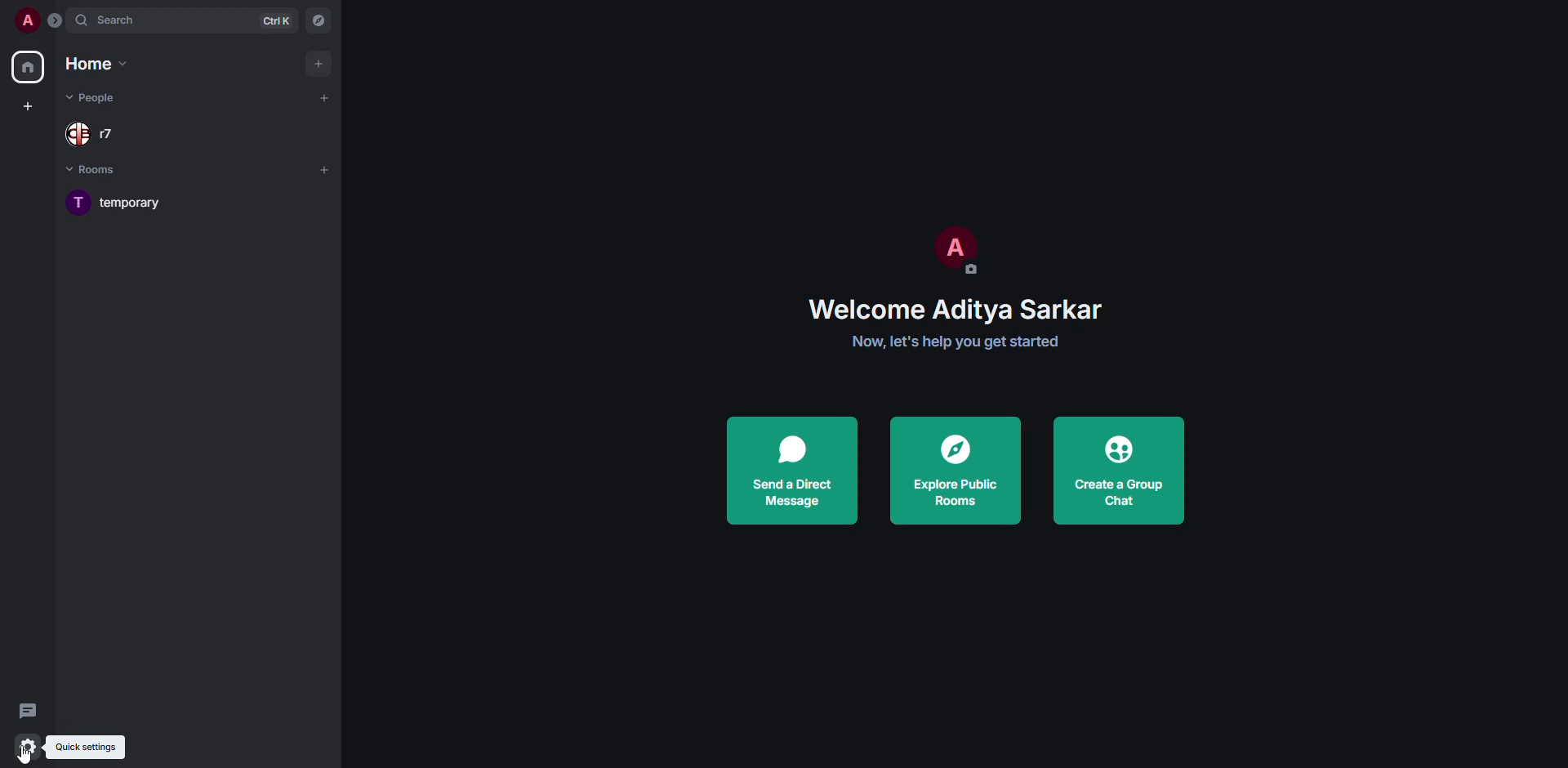  Describe the element at coordinates (318, 61) in the screenshot. I see `add` at that location.